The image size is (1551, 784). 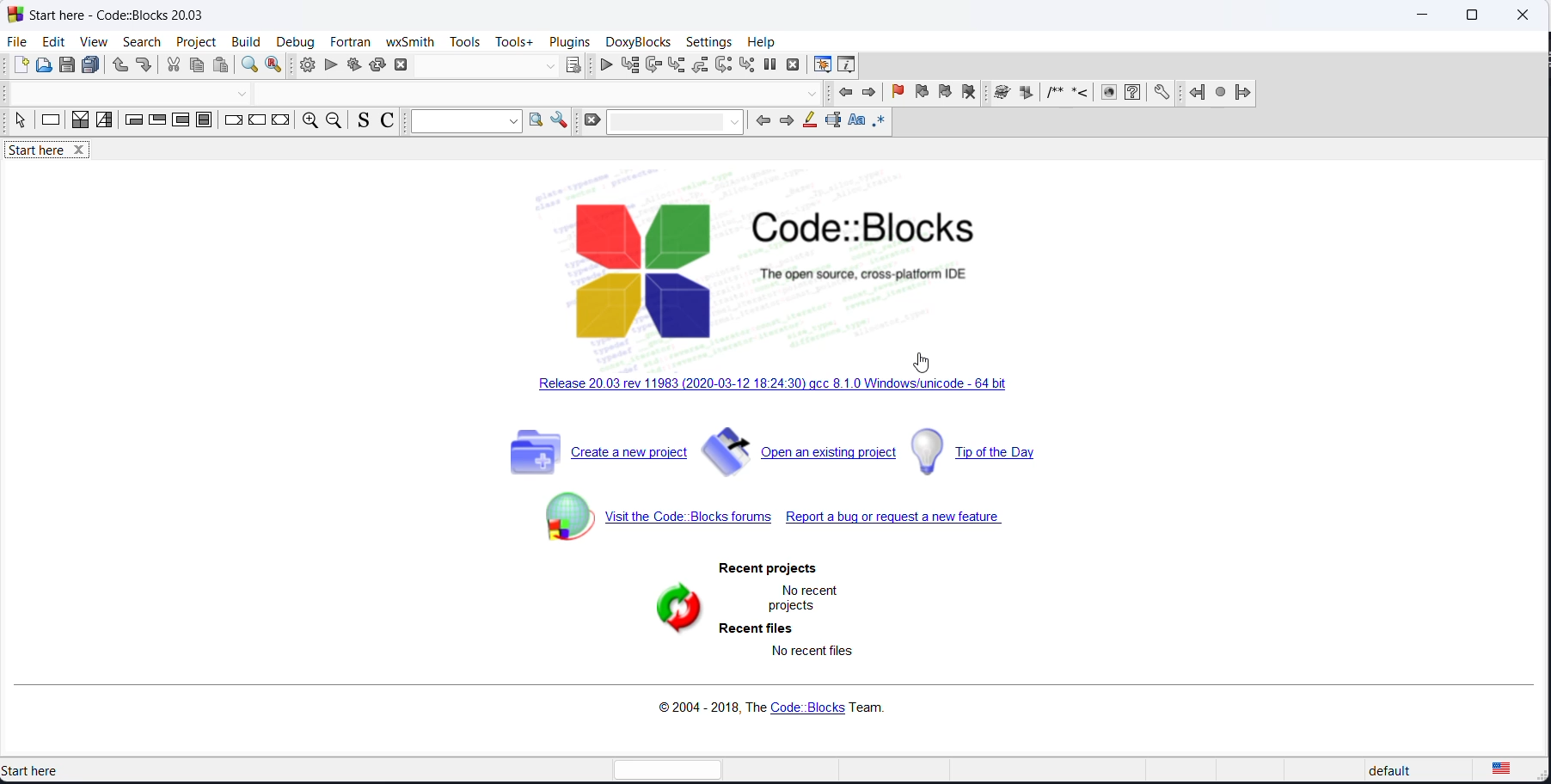 What do you see at coordinates (332, 121) in the screenshot?
I see `zoom out` at bounding box center [332, 121].